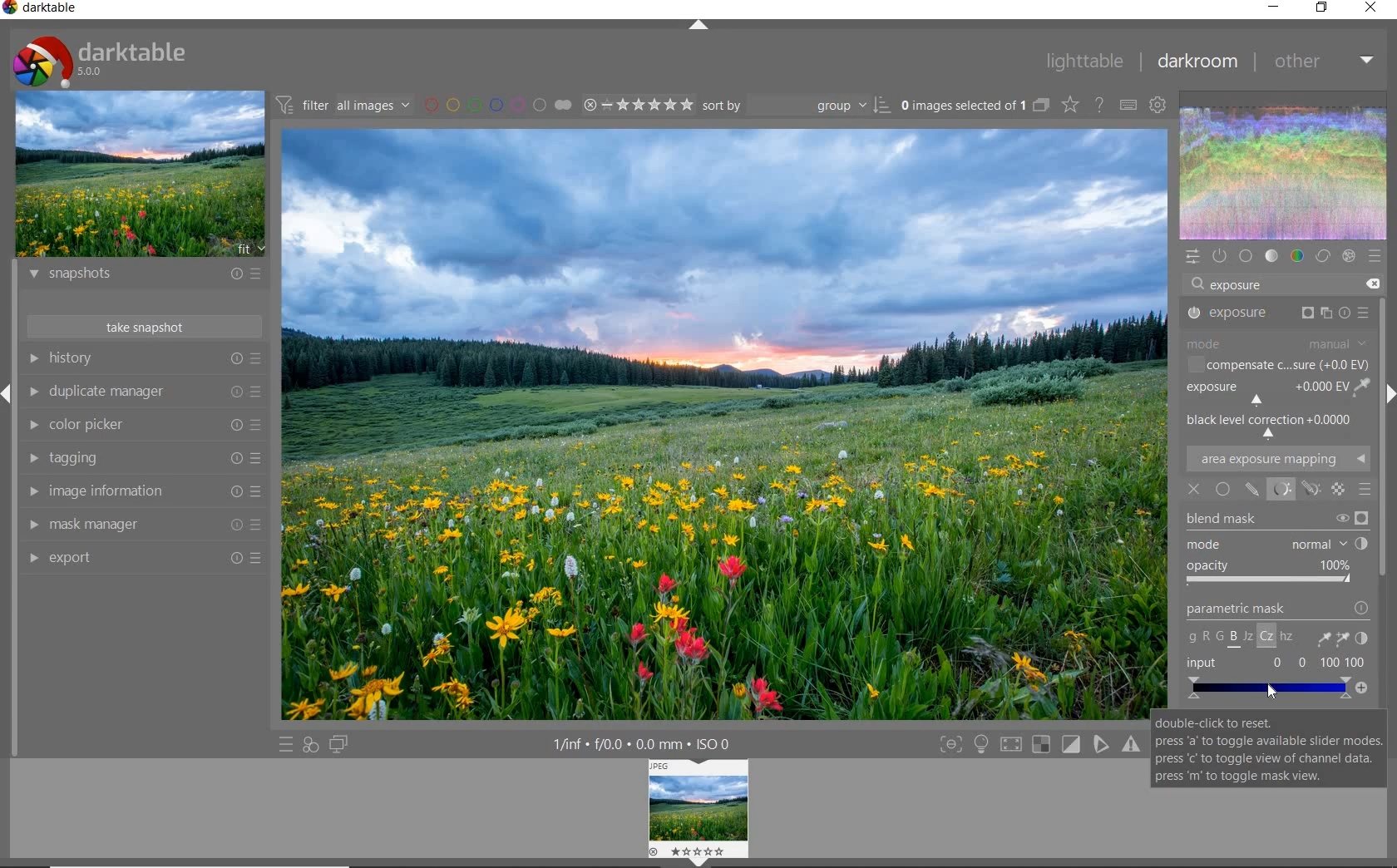 Image resolution: width=1397 pixels, height=868 pixels. I want to click on scrollbar, so click(1383, 452).